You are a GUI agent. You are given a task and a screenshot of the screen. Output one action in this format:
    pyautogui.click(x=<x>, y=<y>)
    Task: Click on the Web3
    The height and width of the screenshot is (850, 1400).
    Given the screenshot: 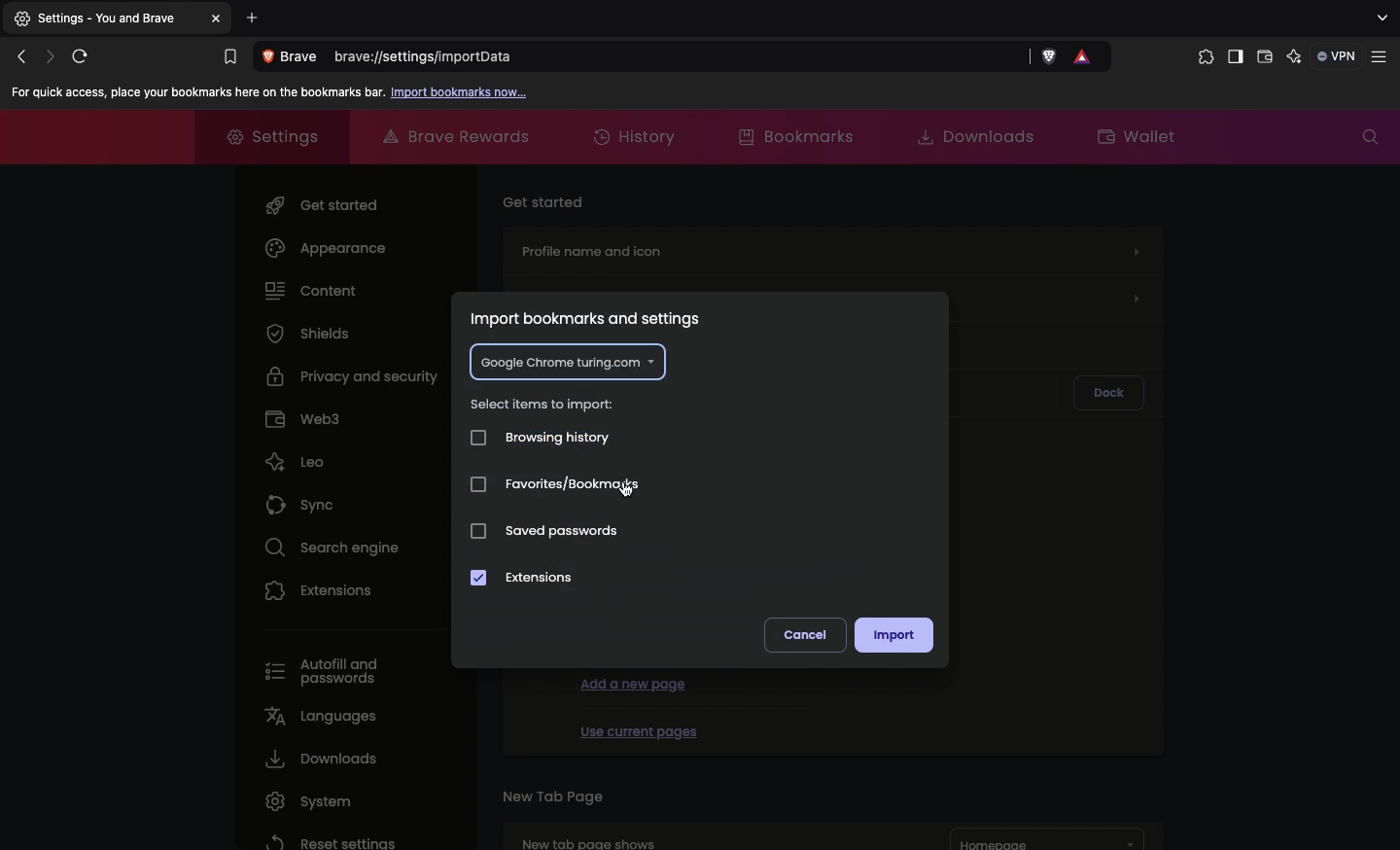 What is the action you would take?
    pyautogui.click(x=303, y=416)
    